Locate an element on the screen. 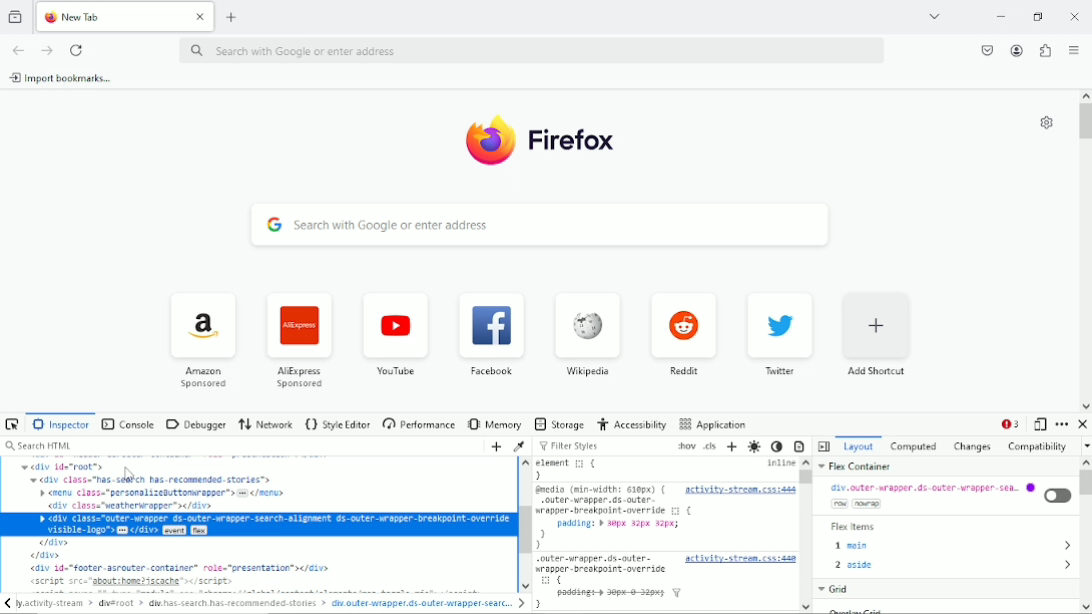  Inspector is located at coordinates (62, 424).